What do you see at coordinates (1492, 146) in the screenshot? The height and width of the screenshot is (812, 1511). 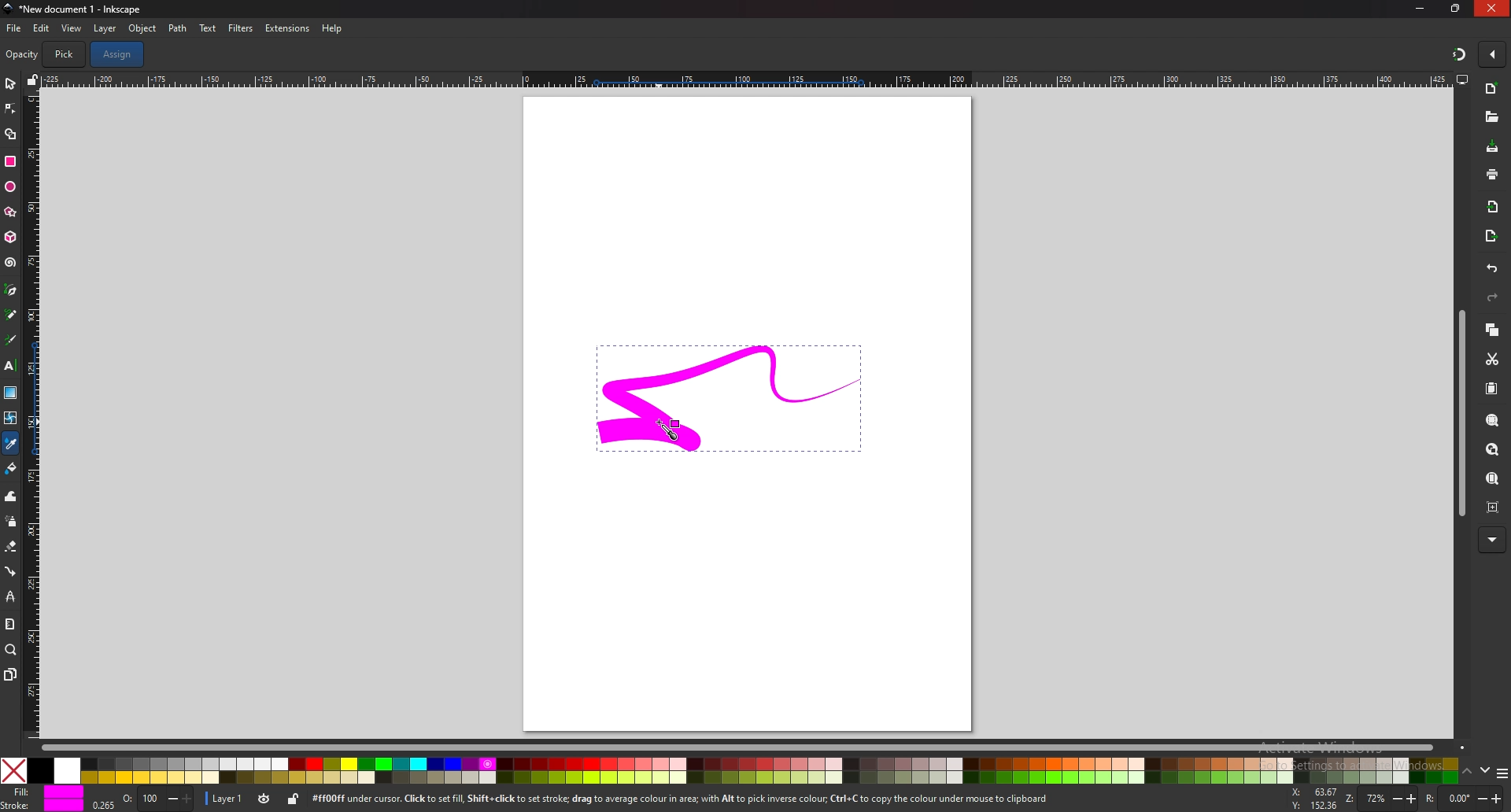 I see `save` at bounding box center [1492, 146].